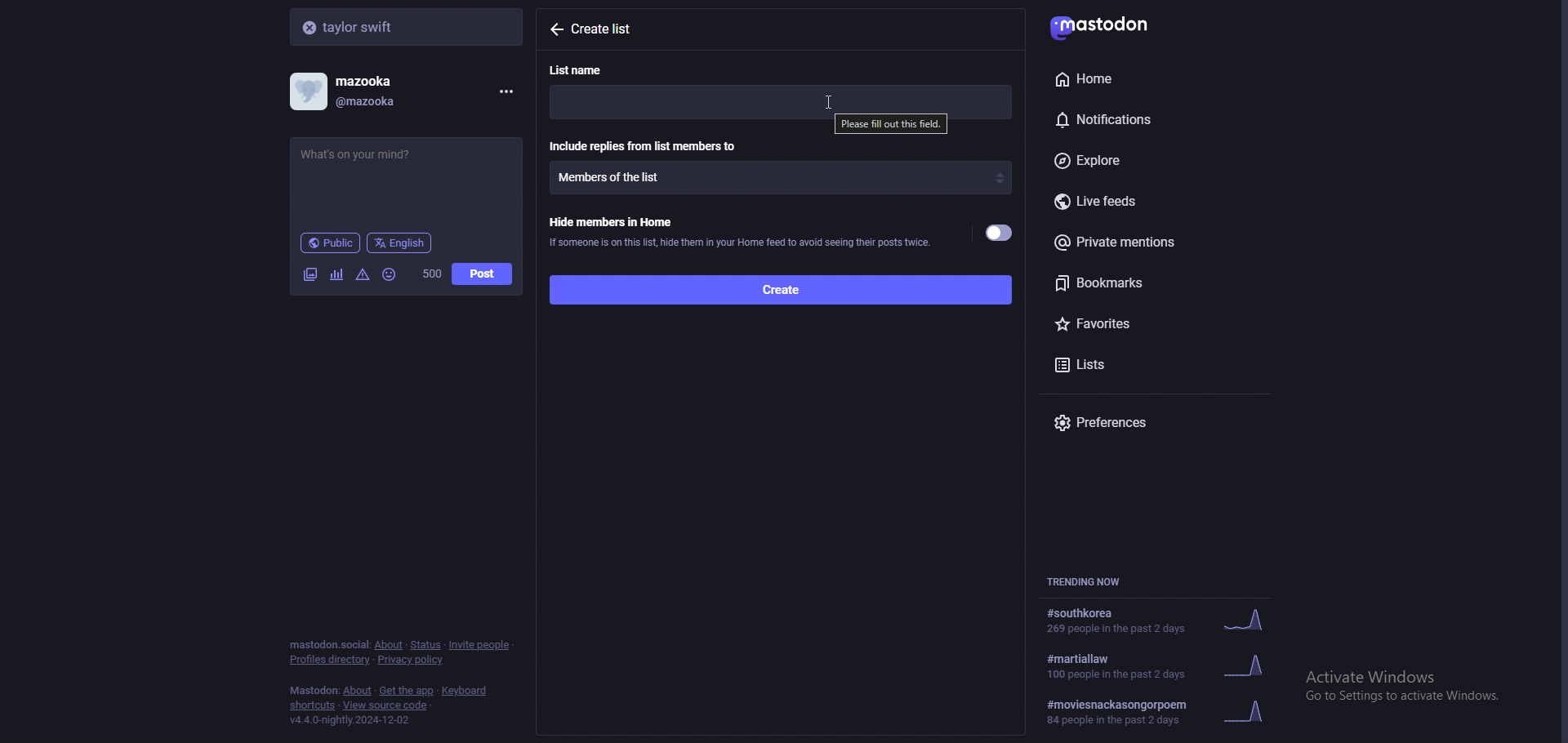 The width and height of the screenshot is (1568, 743). I want to click on include replies from, so click(781, 177).